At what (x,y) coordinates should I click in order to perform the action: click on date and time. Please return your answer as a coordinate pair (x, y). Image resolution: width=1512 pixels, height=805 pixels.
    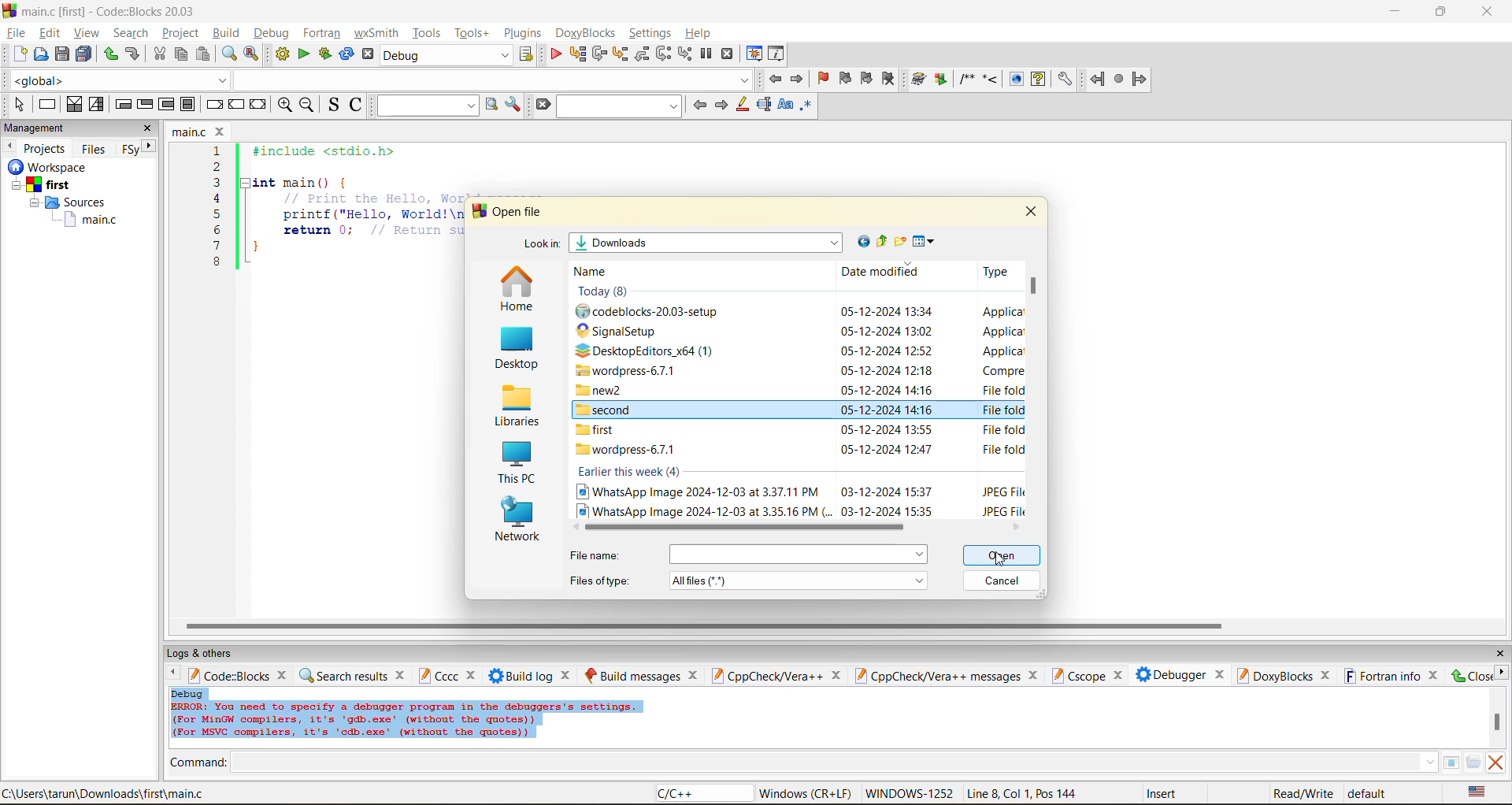
    Looking at the image, I should click on (885, 311).